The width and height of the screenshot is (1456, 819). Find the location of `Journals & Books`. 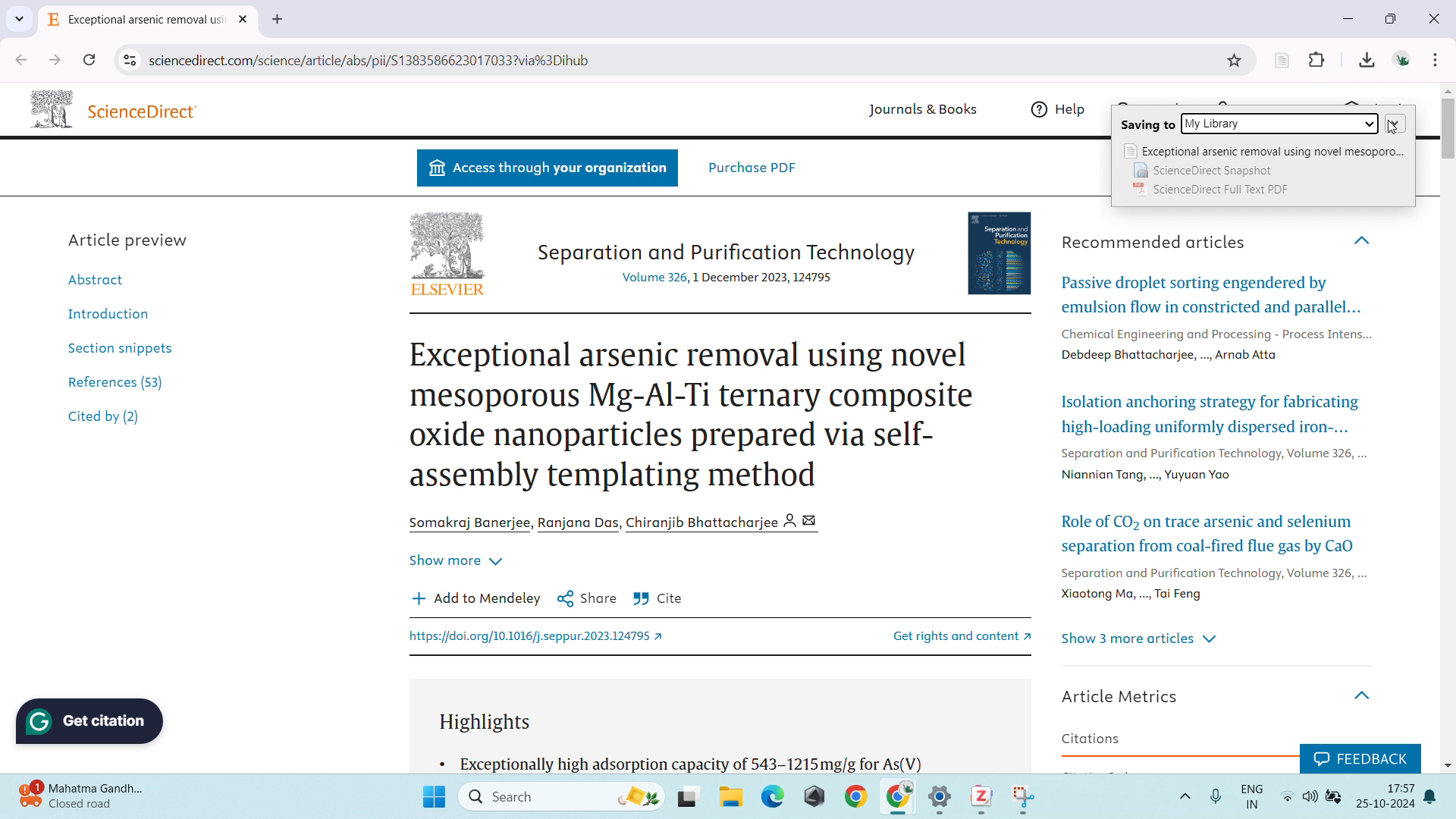

Journals & Books is located at coordinates (919, 111).